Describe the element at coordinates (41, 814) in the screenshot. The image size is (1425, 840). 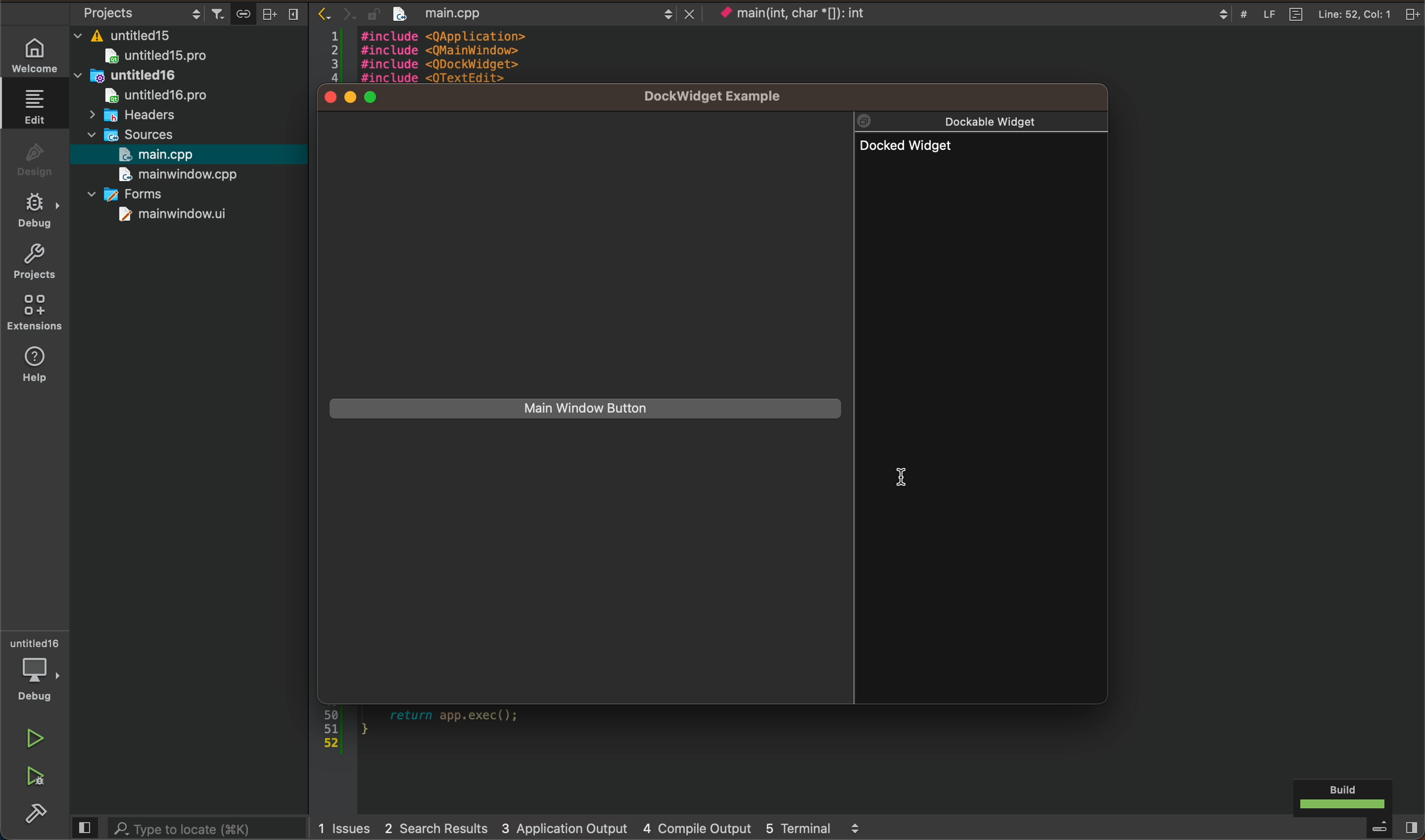
I see `build` at that location.